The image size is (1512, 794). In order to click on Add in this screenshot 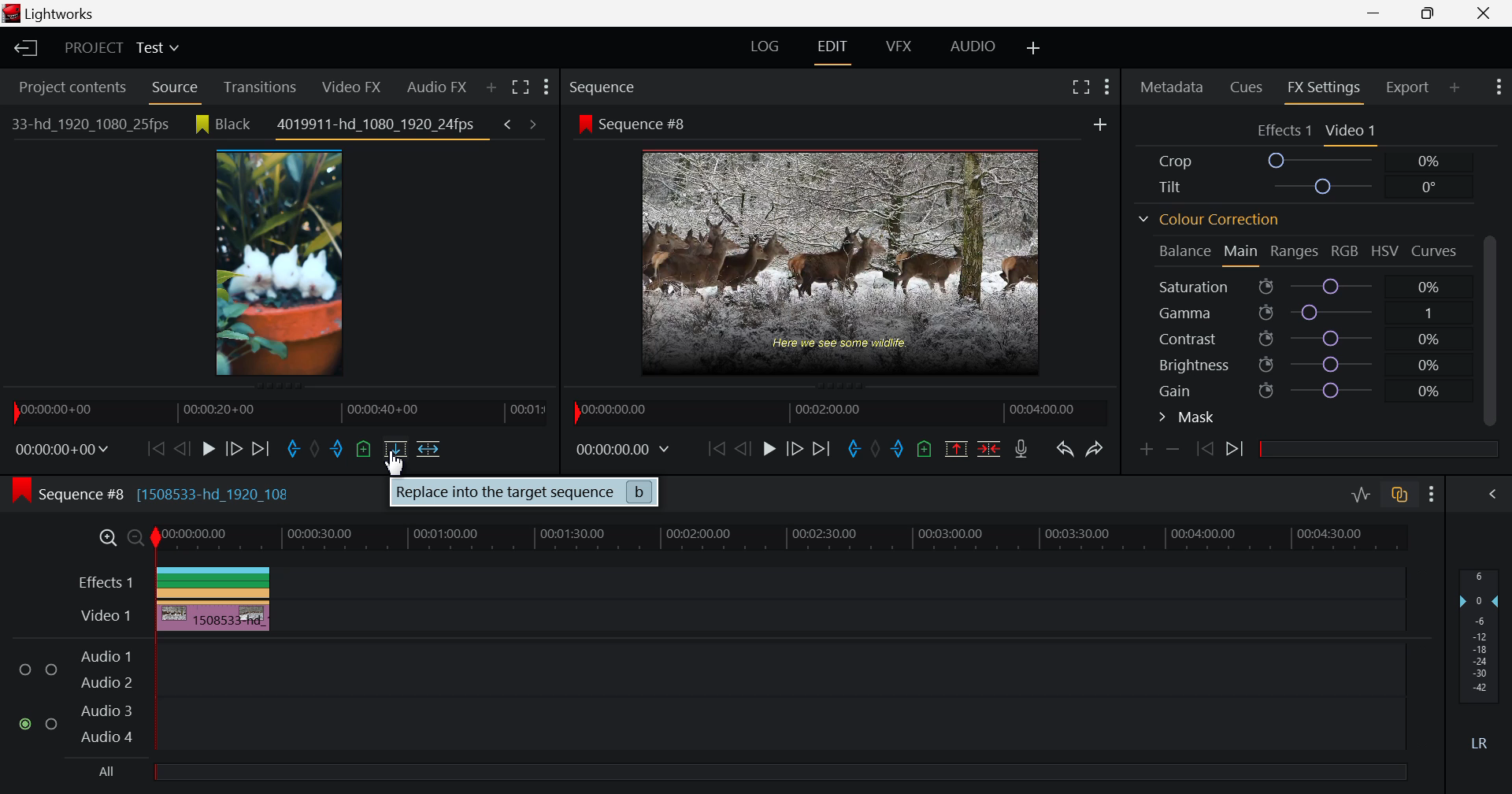, I will do `click(1100, 125)`.